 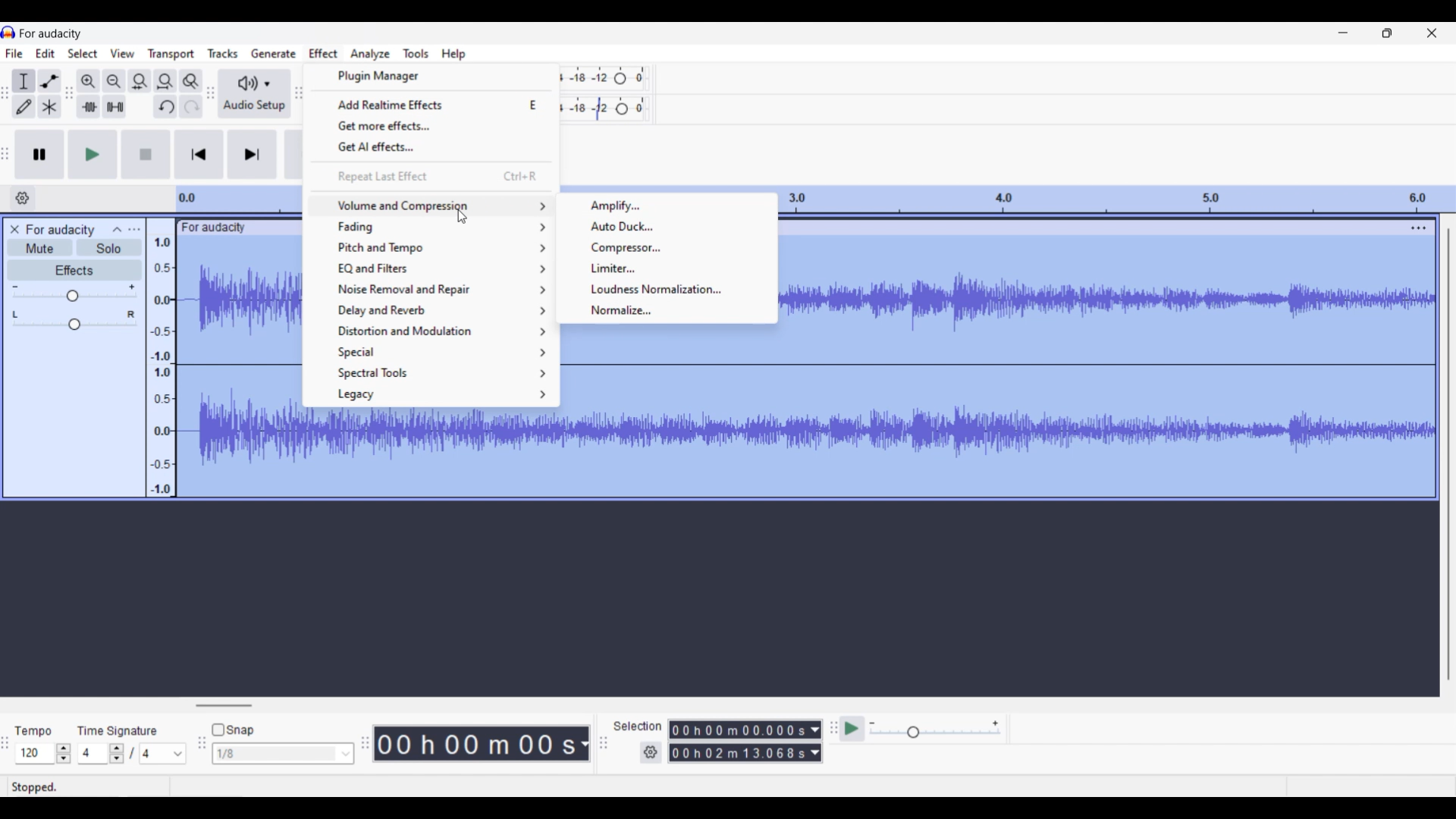 What do you see at coordinates (50, 81) in the screenshot?
I see `Envelop tool` at bounding box center [50, 81].